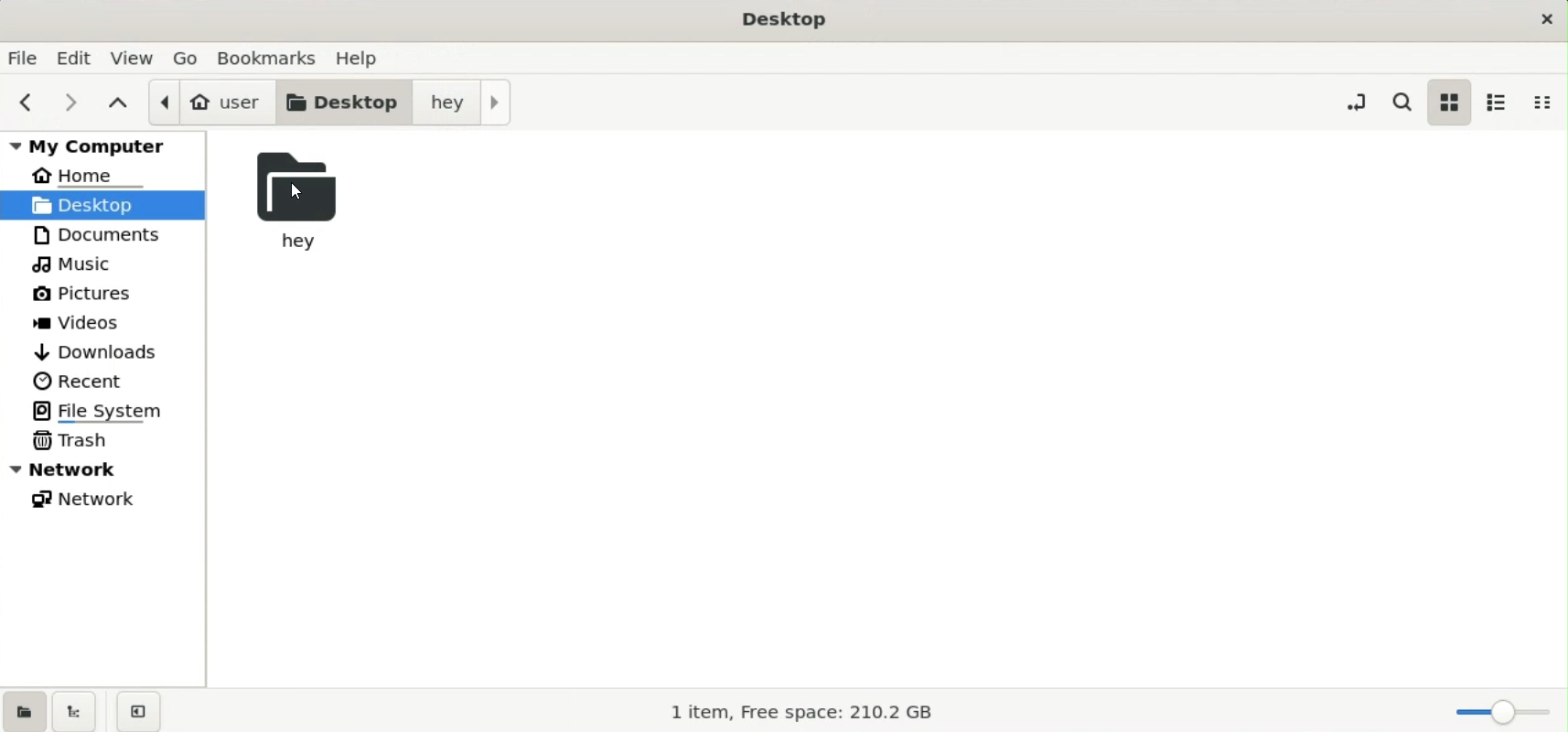 This screenshot has width=1568, height=732. Describe the element at coordinates (210, 102) in the screenshot. I see `user` at that location.